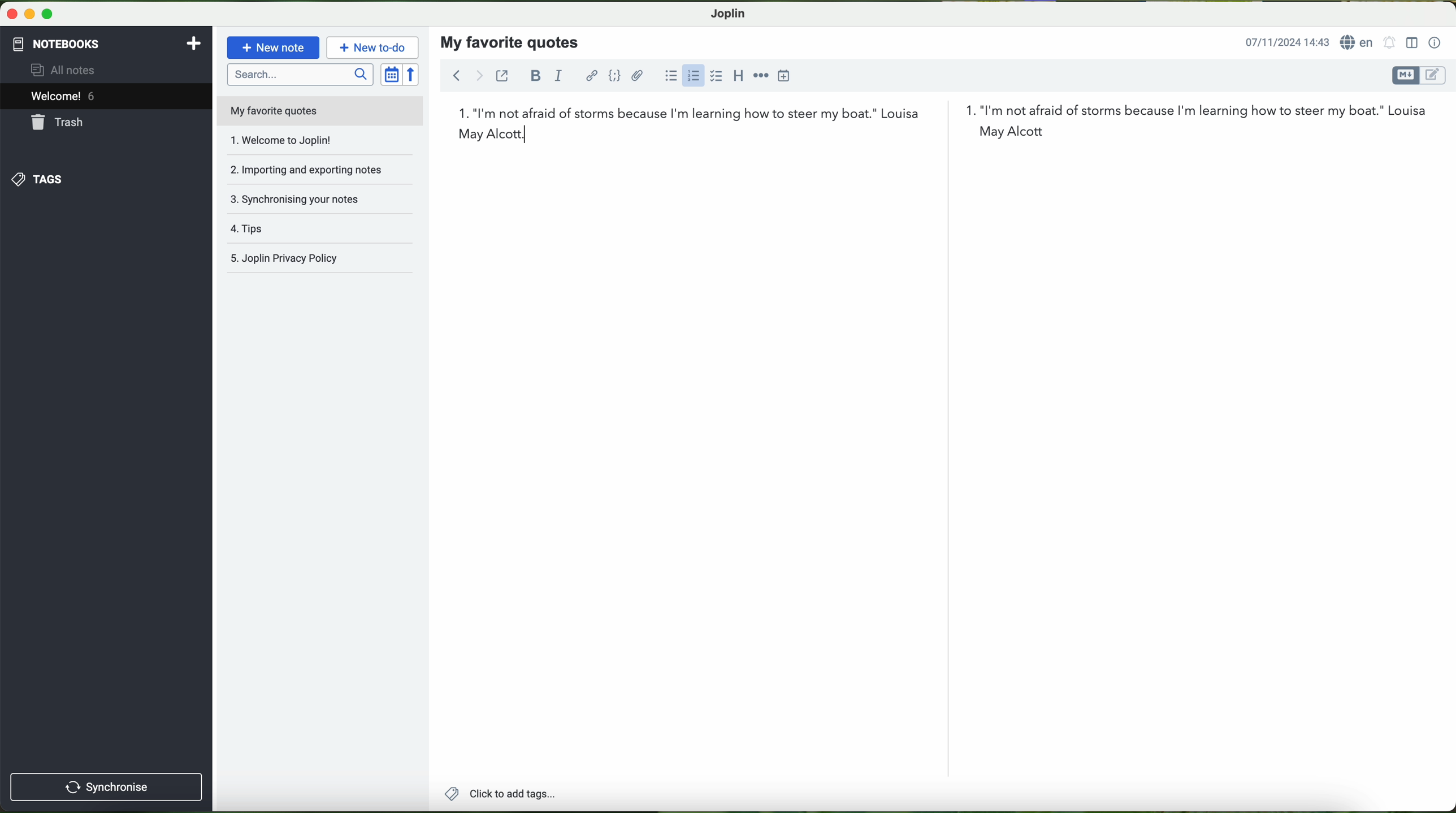 This screenshot has height=813, width=1456. I want to click on italic, so click(561, 76).